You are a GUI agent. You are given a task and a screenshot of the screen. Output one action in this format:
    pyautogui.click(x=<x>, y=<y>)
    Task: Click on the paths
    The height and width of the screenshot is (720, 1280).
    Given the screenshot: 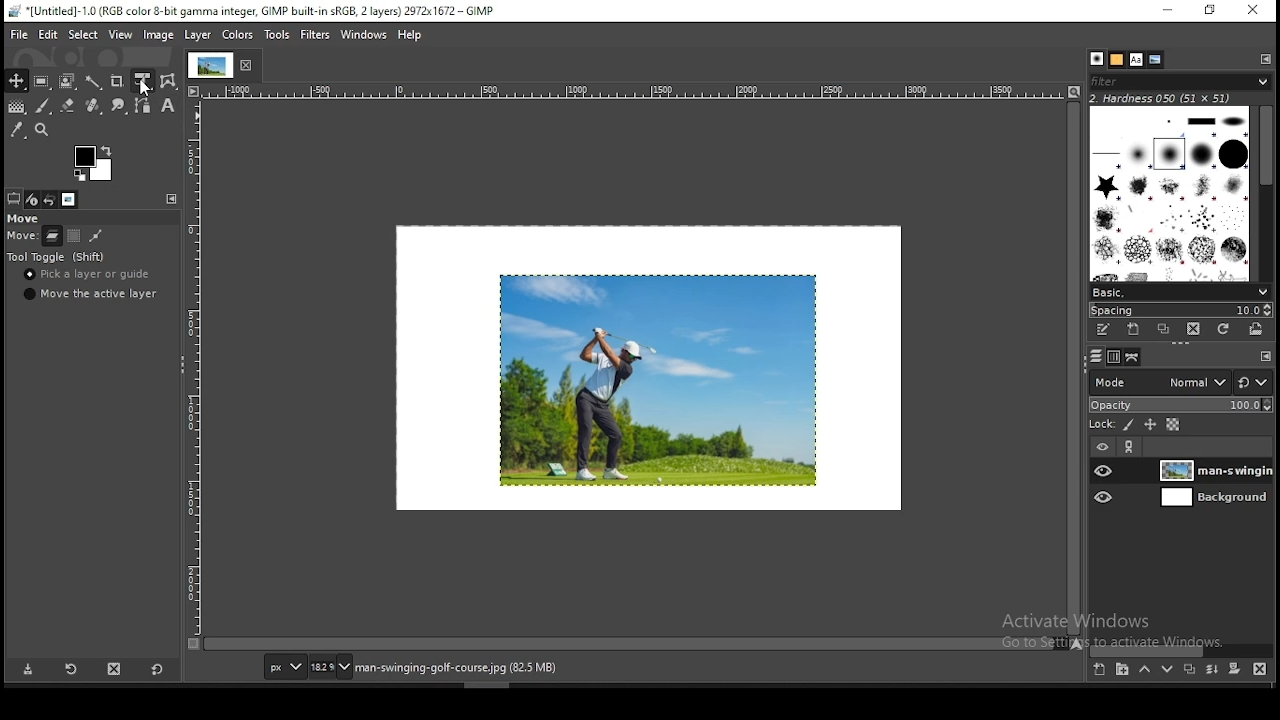 What is the action you would take?
    pyautogui.click(x=1133, y=358)
    